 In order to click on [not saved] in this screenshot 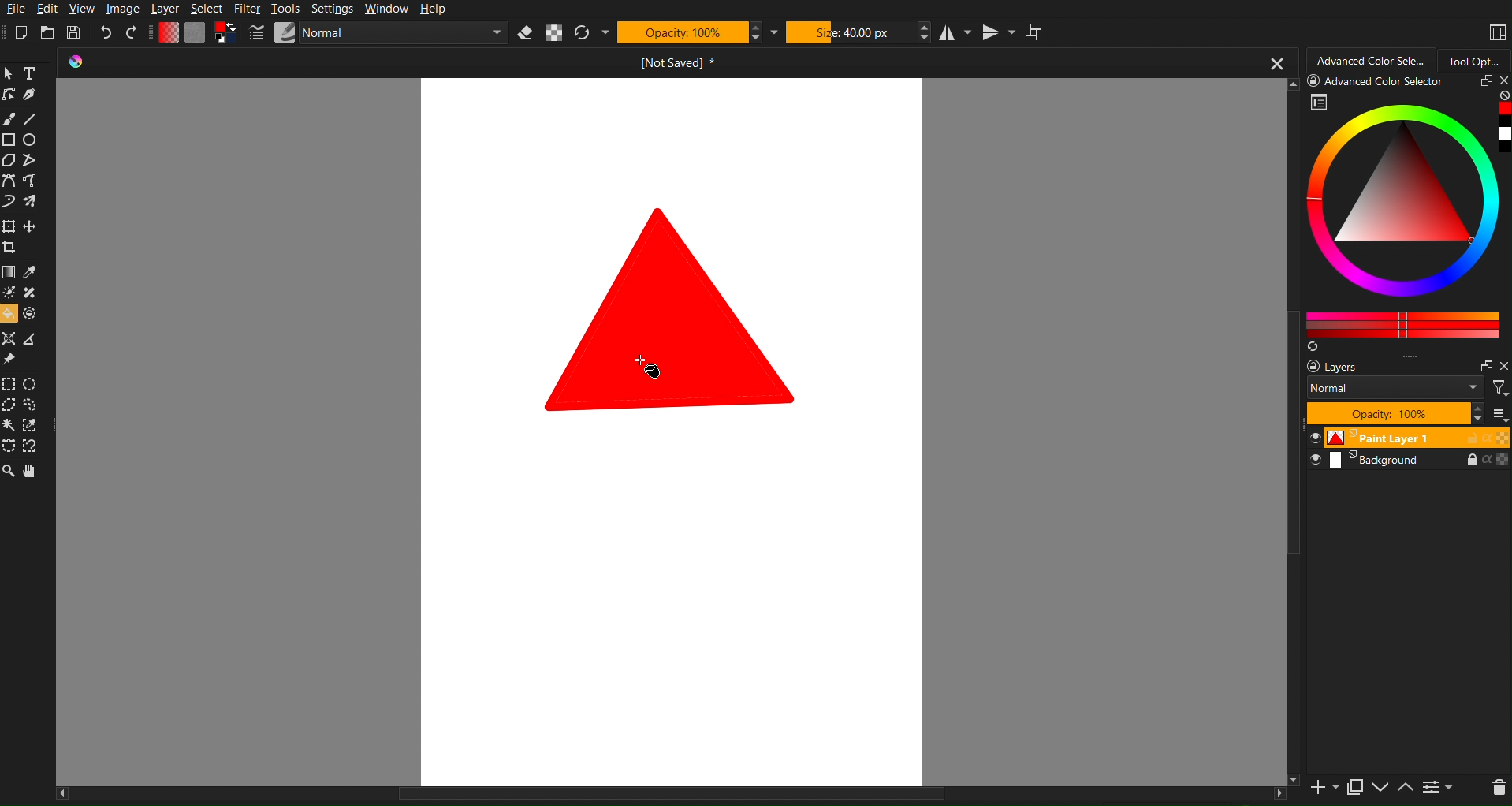, I will do `click(672, 63)`.